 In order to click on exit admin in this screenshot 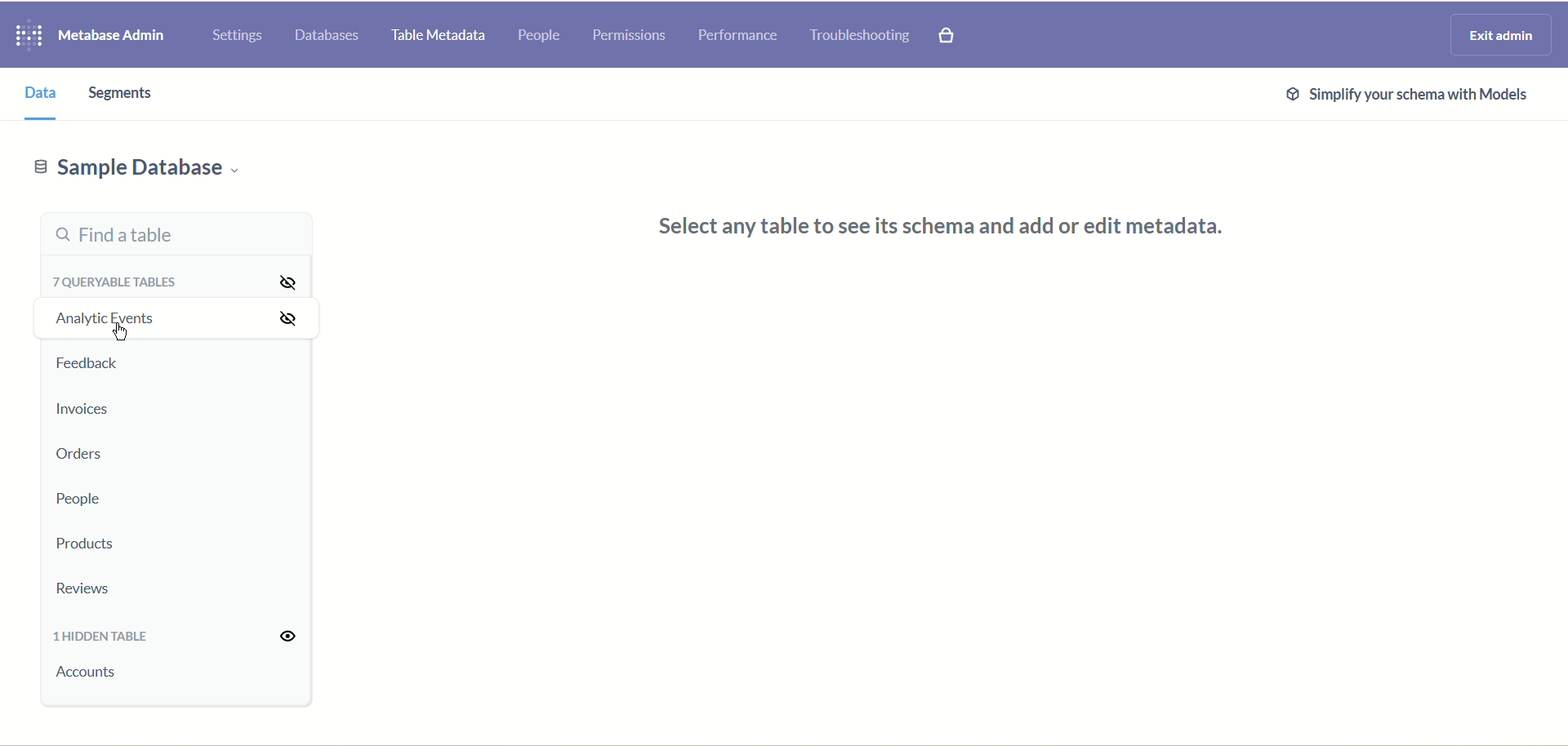, I will do `click(1498, 35)`.